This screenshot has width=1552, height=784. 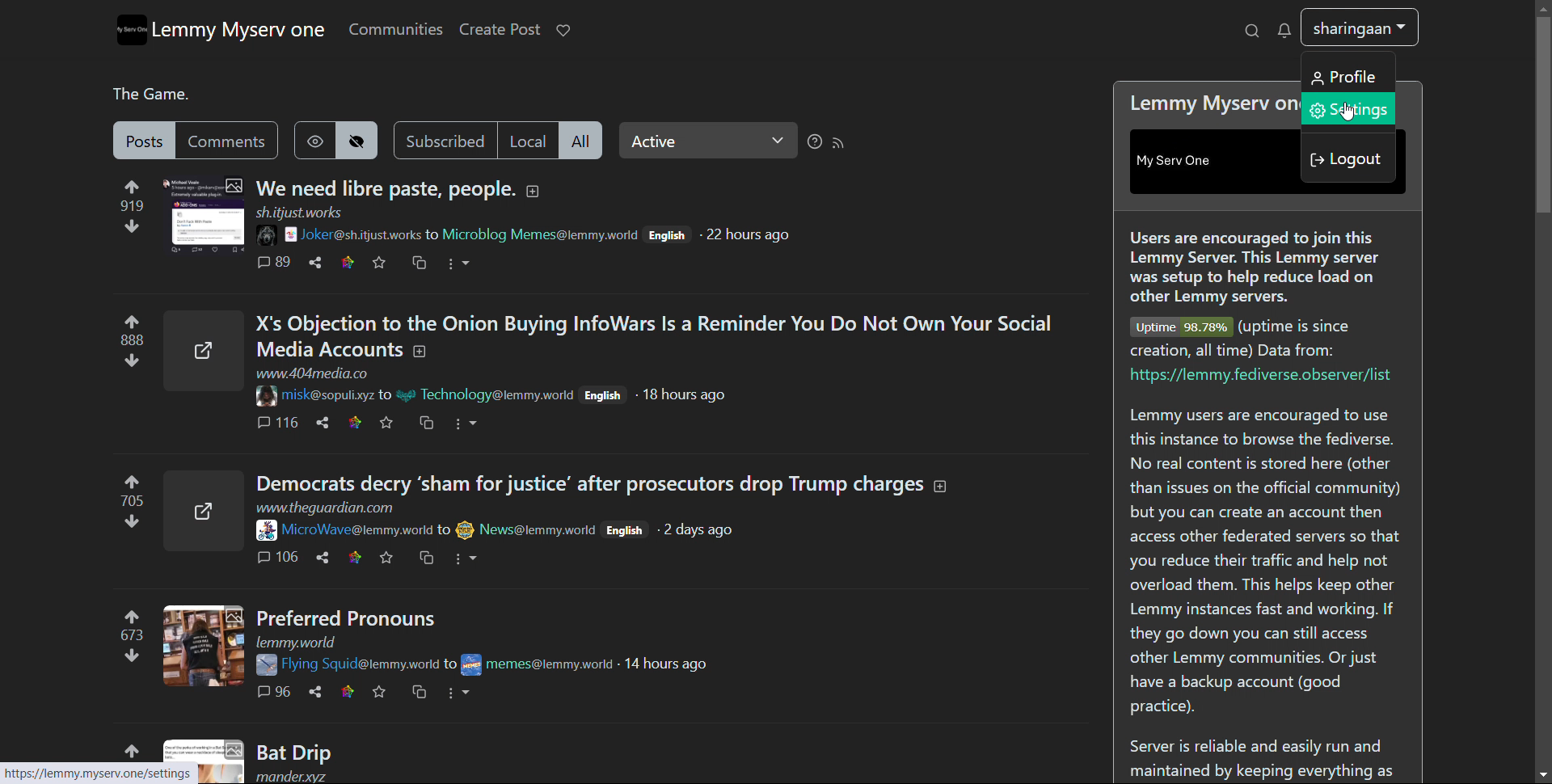 What do you see at coordinates (273, 693) in the screenshot?
I see `96 comments` at bounding box center [273, 693].